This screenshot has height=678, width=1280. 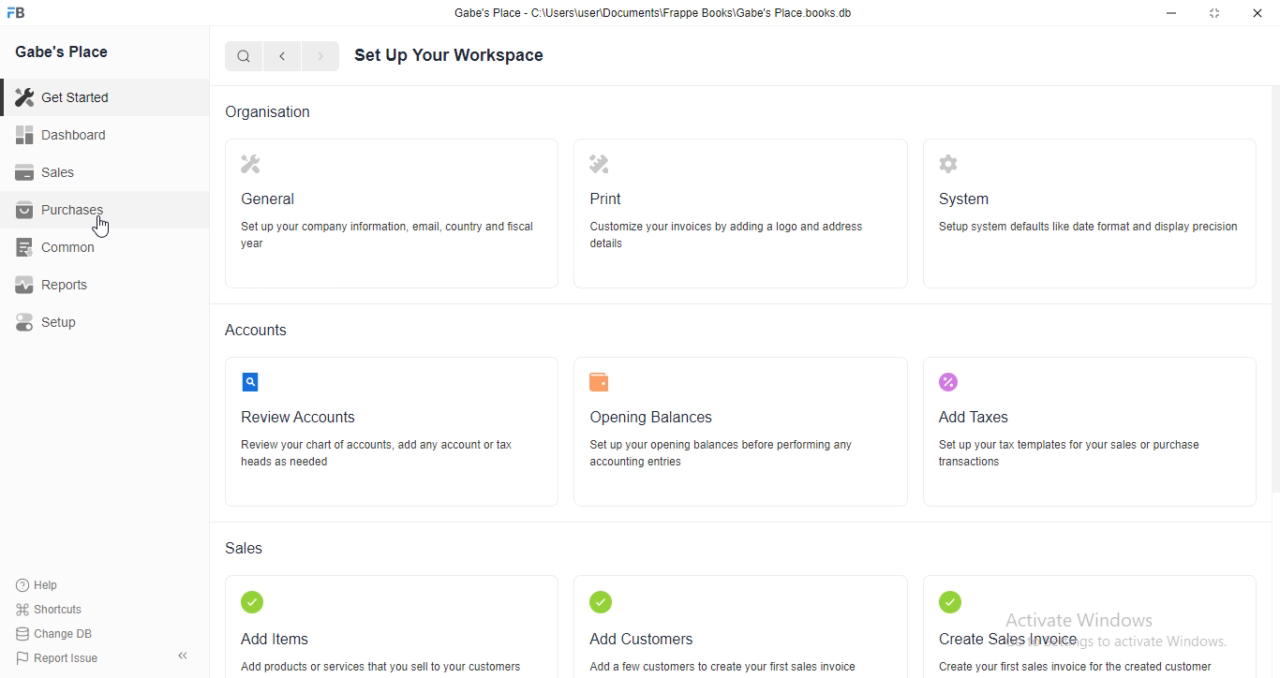 I want to click on ‘Add Customers, so click(x=641, y=635).